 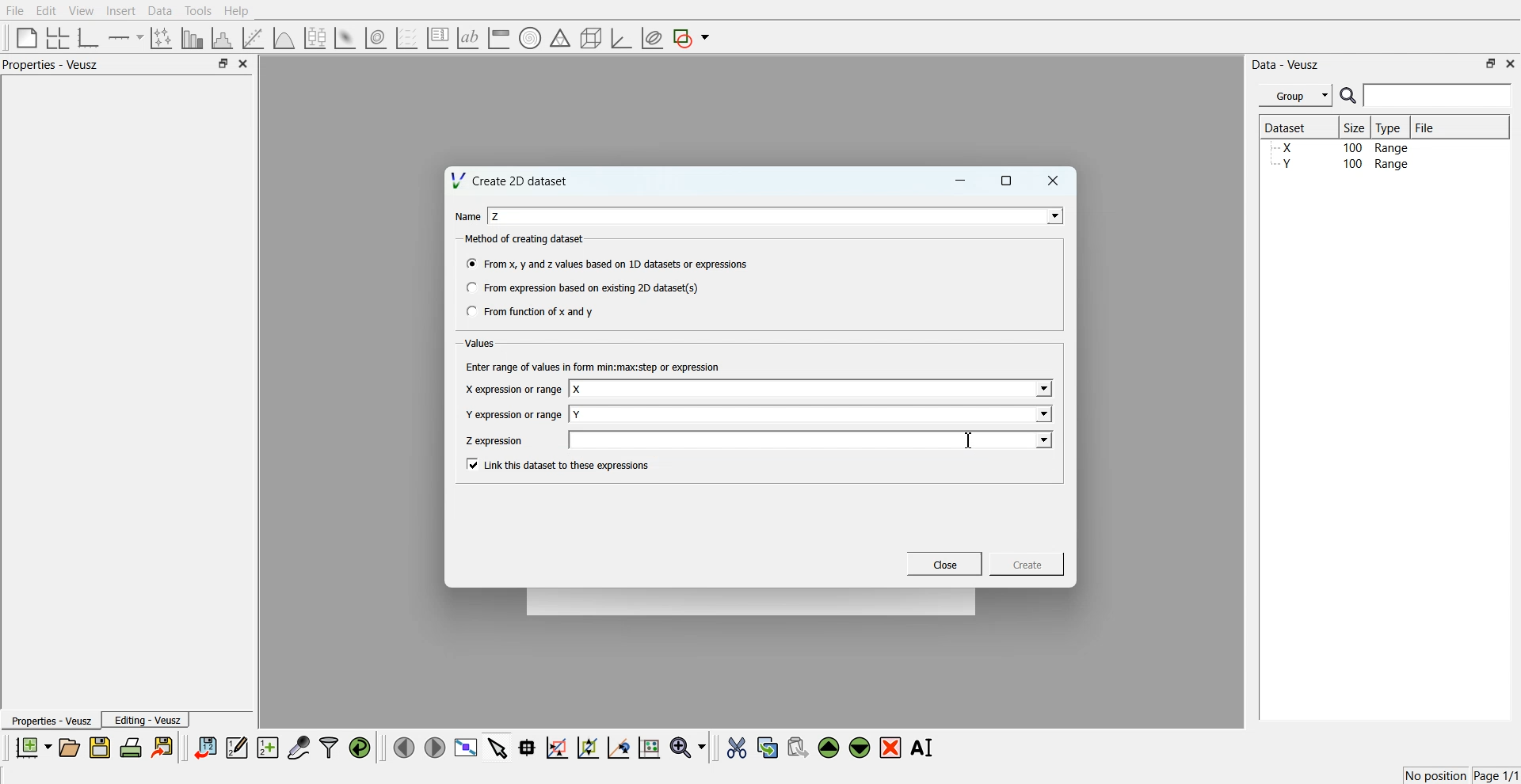 I want to click on Enter name, so click(x=814, y=440).